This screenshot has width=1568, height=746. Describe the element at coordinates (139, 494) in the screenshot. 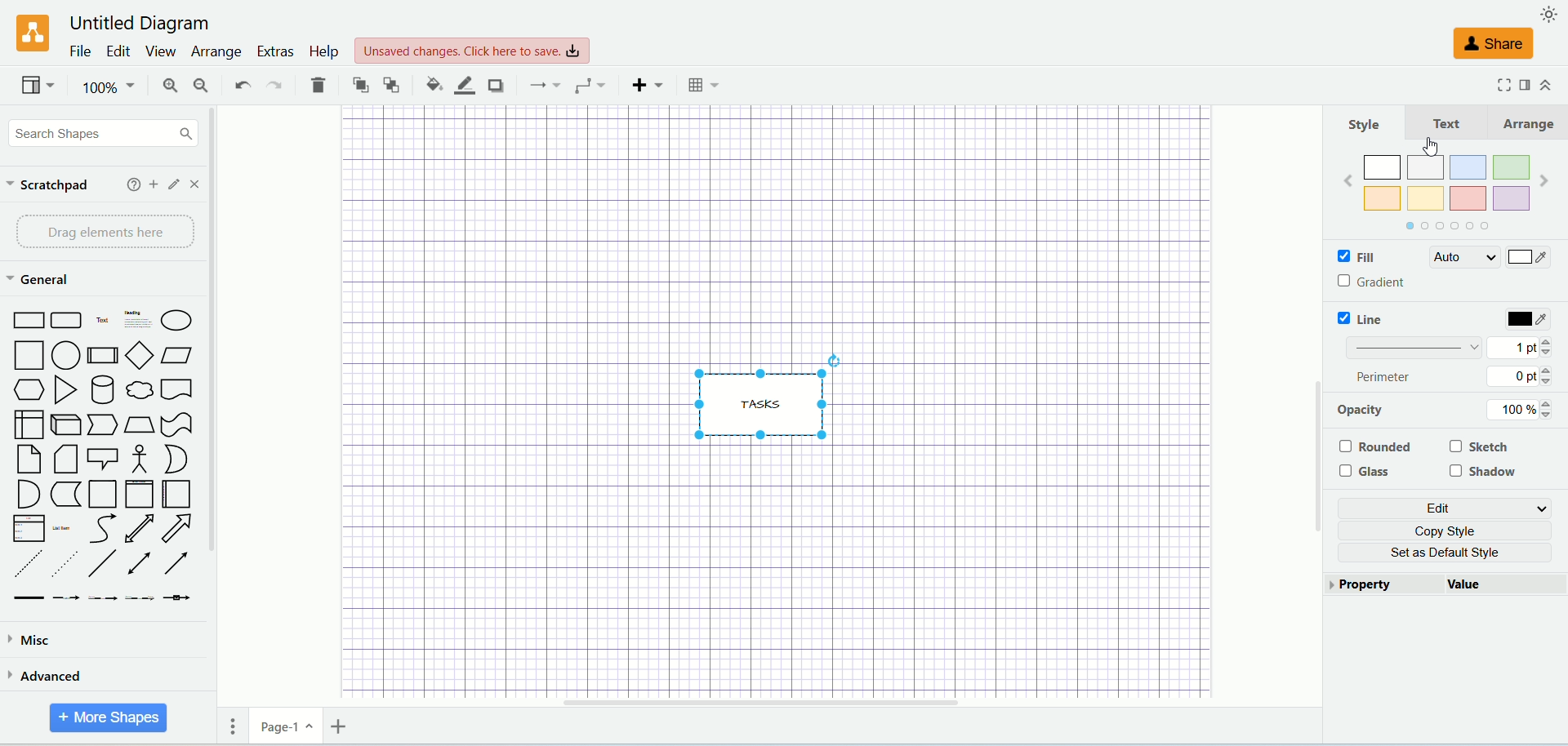

I see `Vertical Container` at that location.